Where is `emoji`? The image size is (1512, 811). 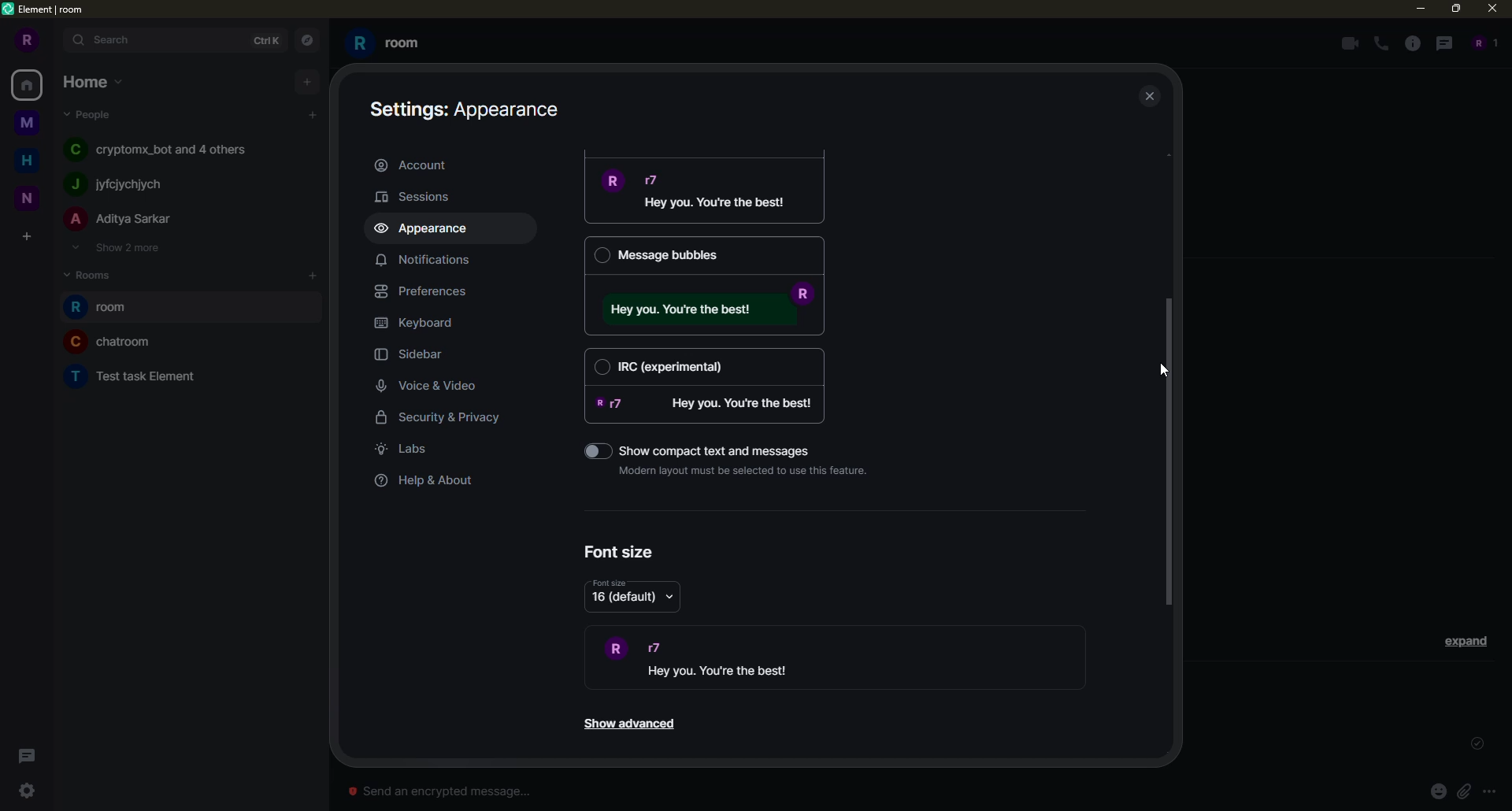
emoji is located at coordinates (1438, 791).